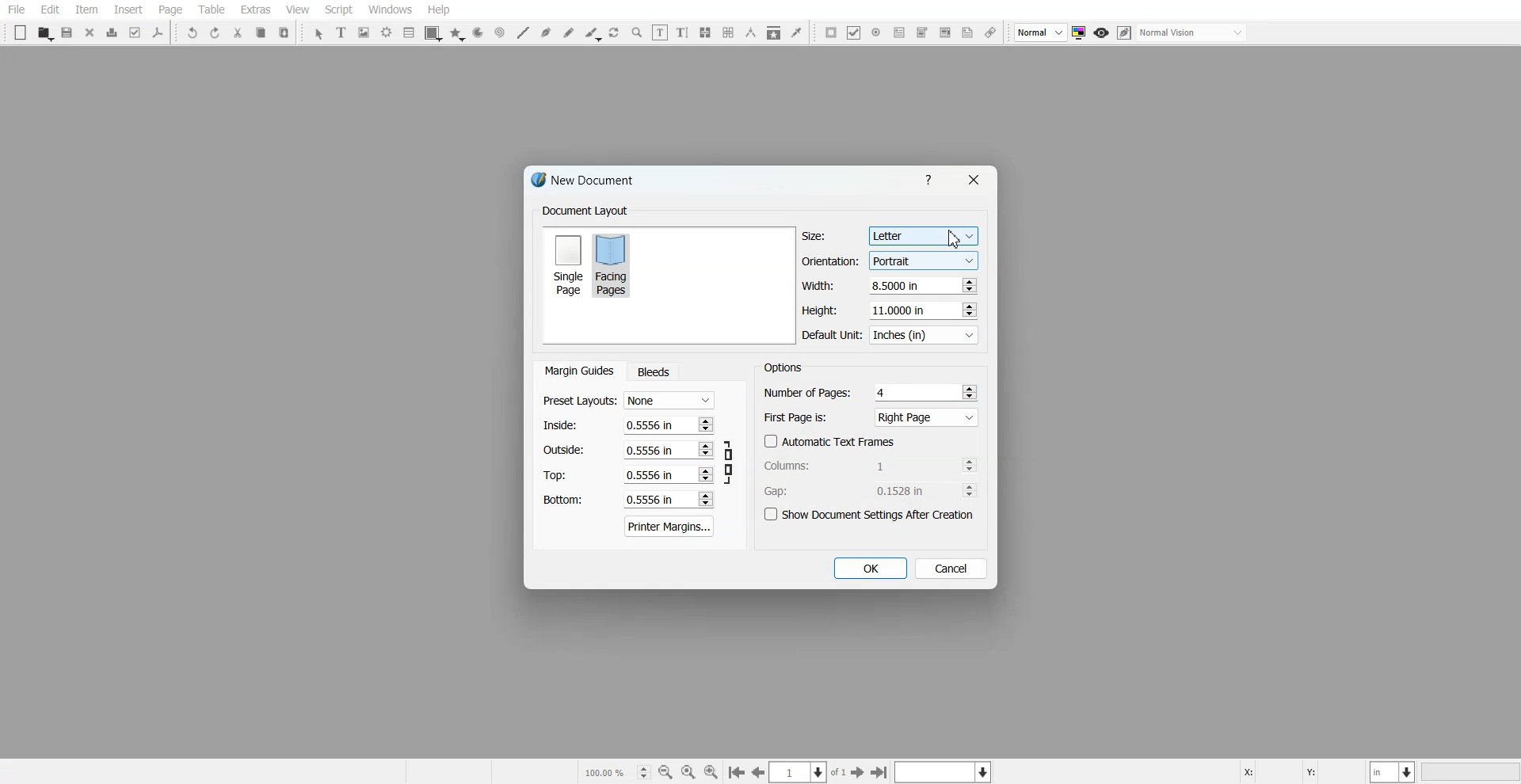 The height and width of the screenshot is (784, 1521). What do you see at coordinates (809, 772) in the screenshot?
I see `Select the current page` at bounding box center [809, 772].